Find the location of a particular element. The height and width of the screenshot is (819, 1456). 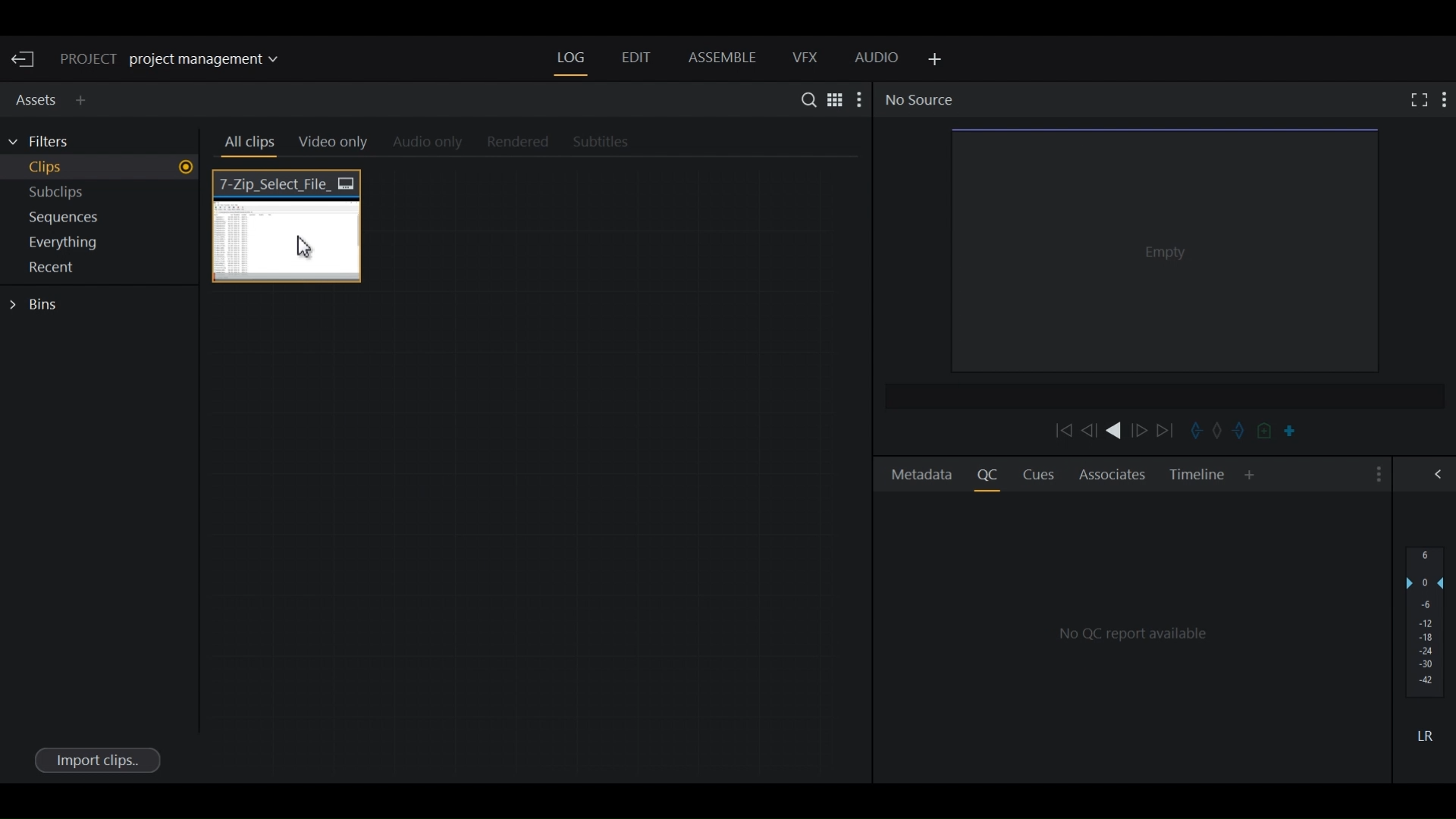

Assemble is located at coordinates (722, 58).